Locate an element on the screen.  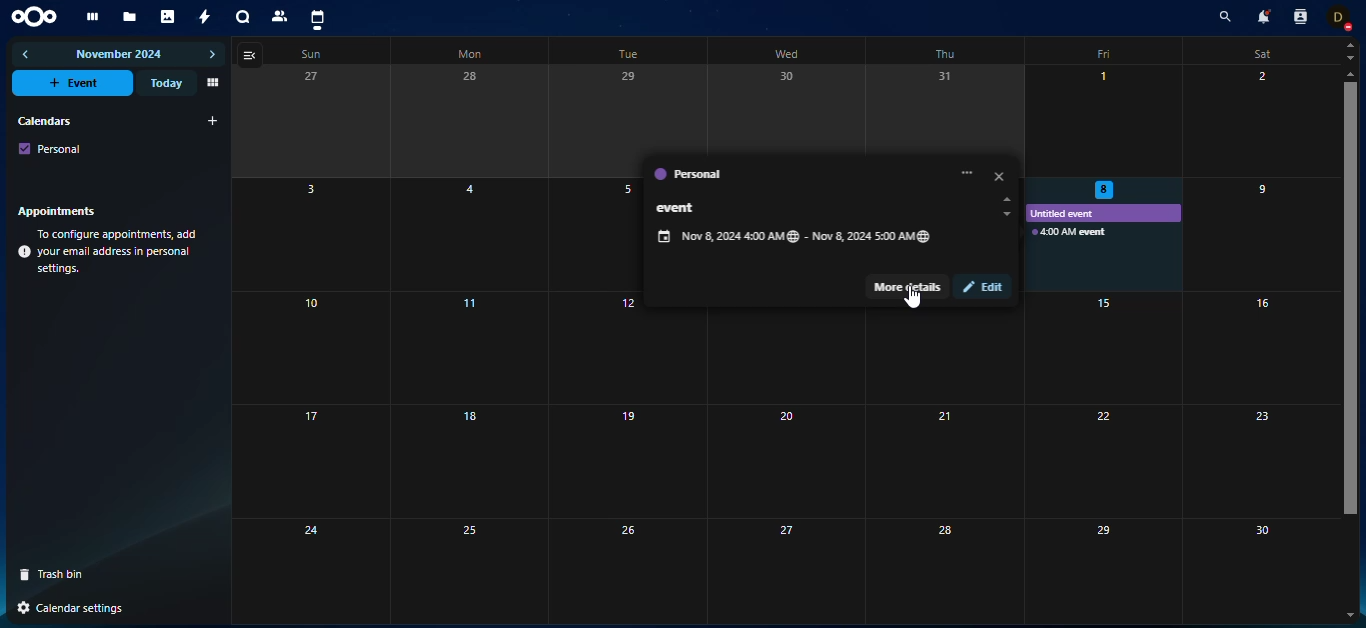
event is located at coordinates (678, 207).